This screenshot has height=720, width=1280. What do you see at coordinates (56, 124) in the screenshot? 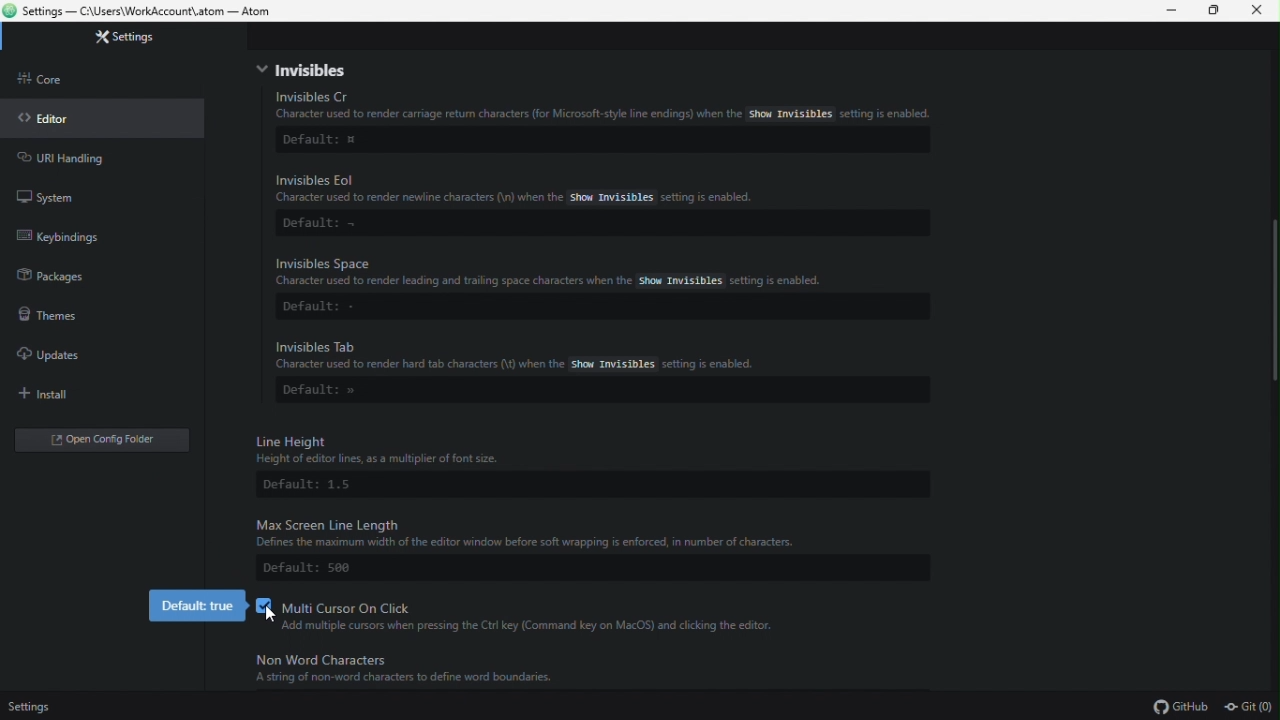
I see `Editor` at bounding box center [56, 124].